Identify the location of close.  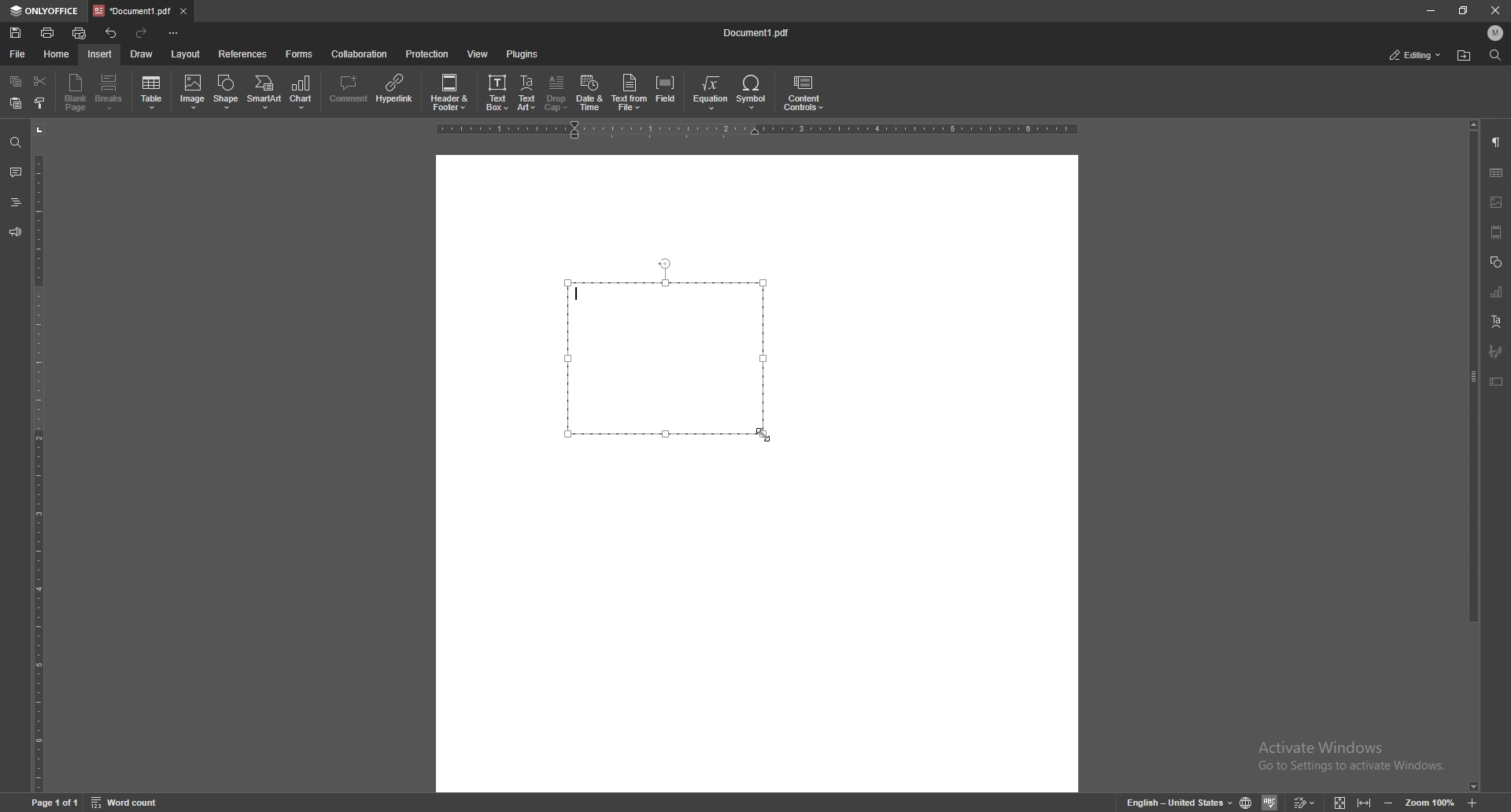
(1496, 13).